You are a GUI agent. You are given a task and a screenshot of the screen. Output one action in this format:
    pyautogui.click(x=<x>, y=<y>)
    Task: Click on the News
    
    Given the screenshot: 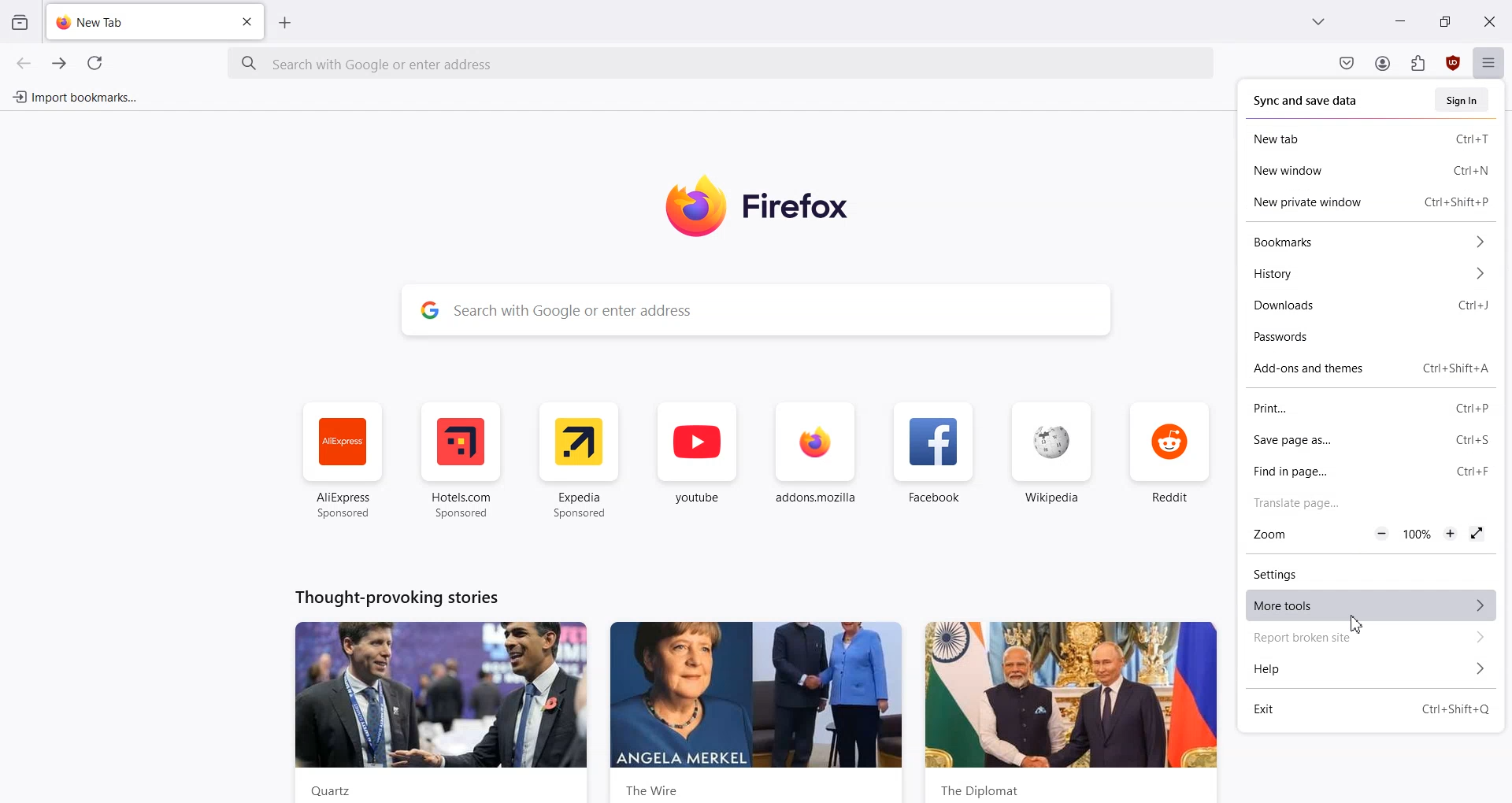 What is the action you would take?
    pyautogui.click(x=1072, y=711)
    